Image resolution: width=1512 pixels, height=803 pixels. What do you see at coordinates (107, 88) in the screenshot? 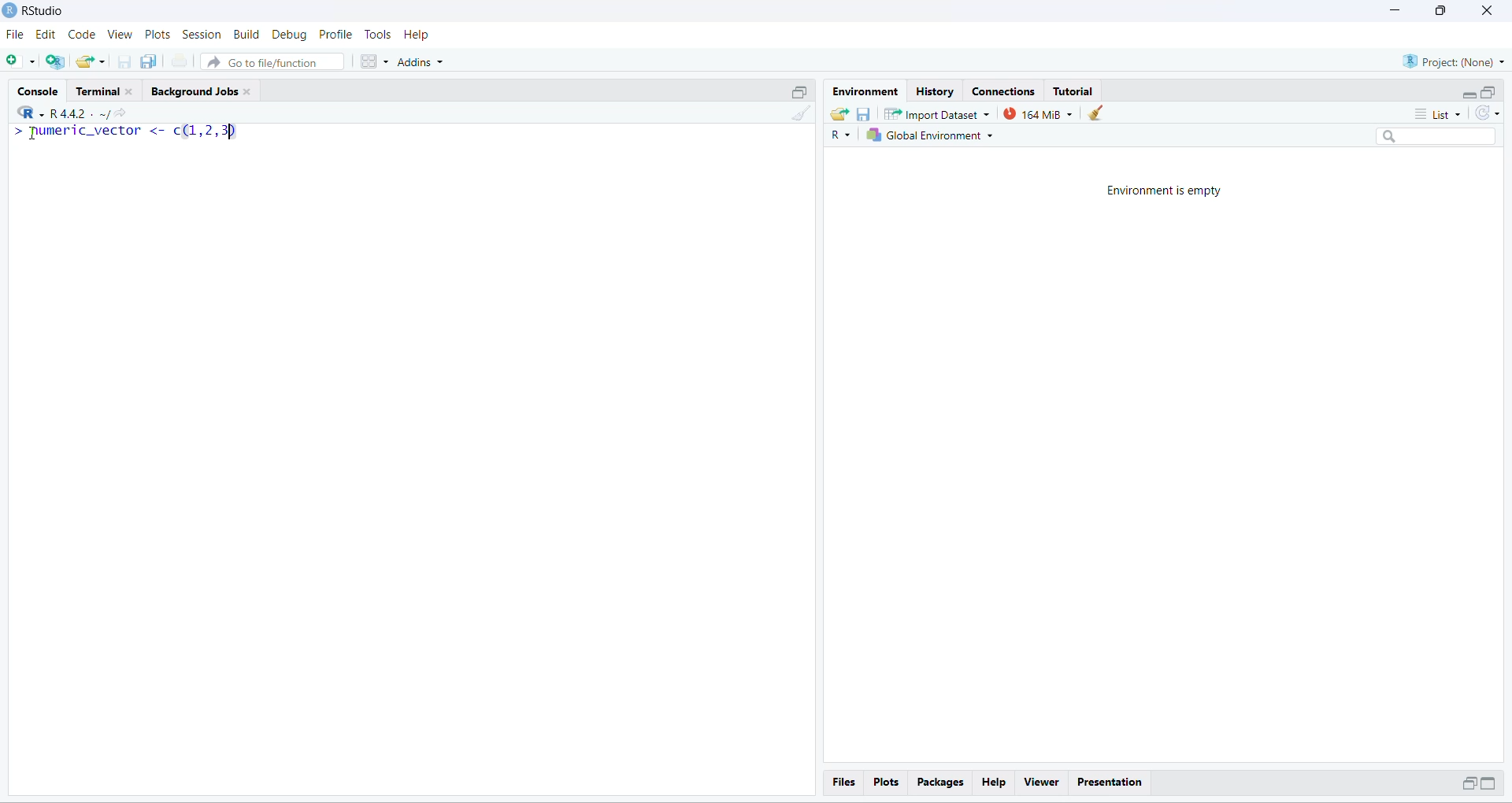
I see `Terminal` at bounding box center [107, 88].